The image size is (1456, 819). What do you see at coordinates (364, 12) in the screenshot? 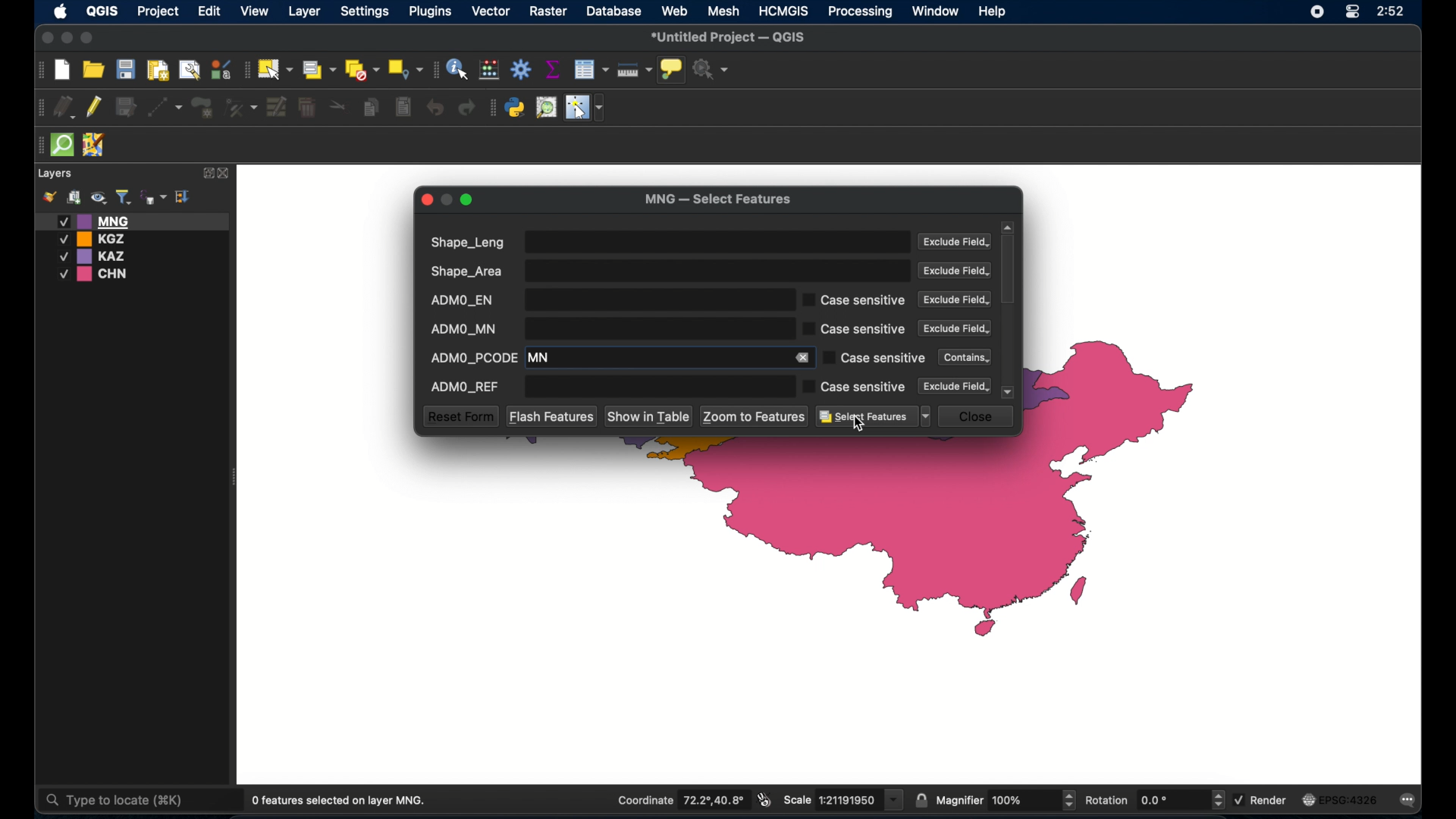
I see `settings` at bounding box center [364, 12].